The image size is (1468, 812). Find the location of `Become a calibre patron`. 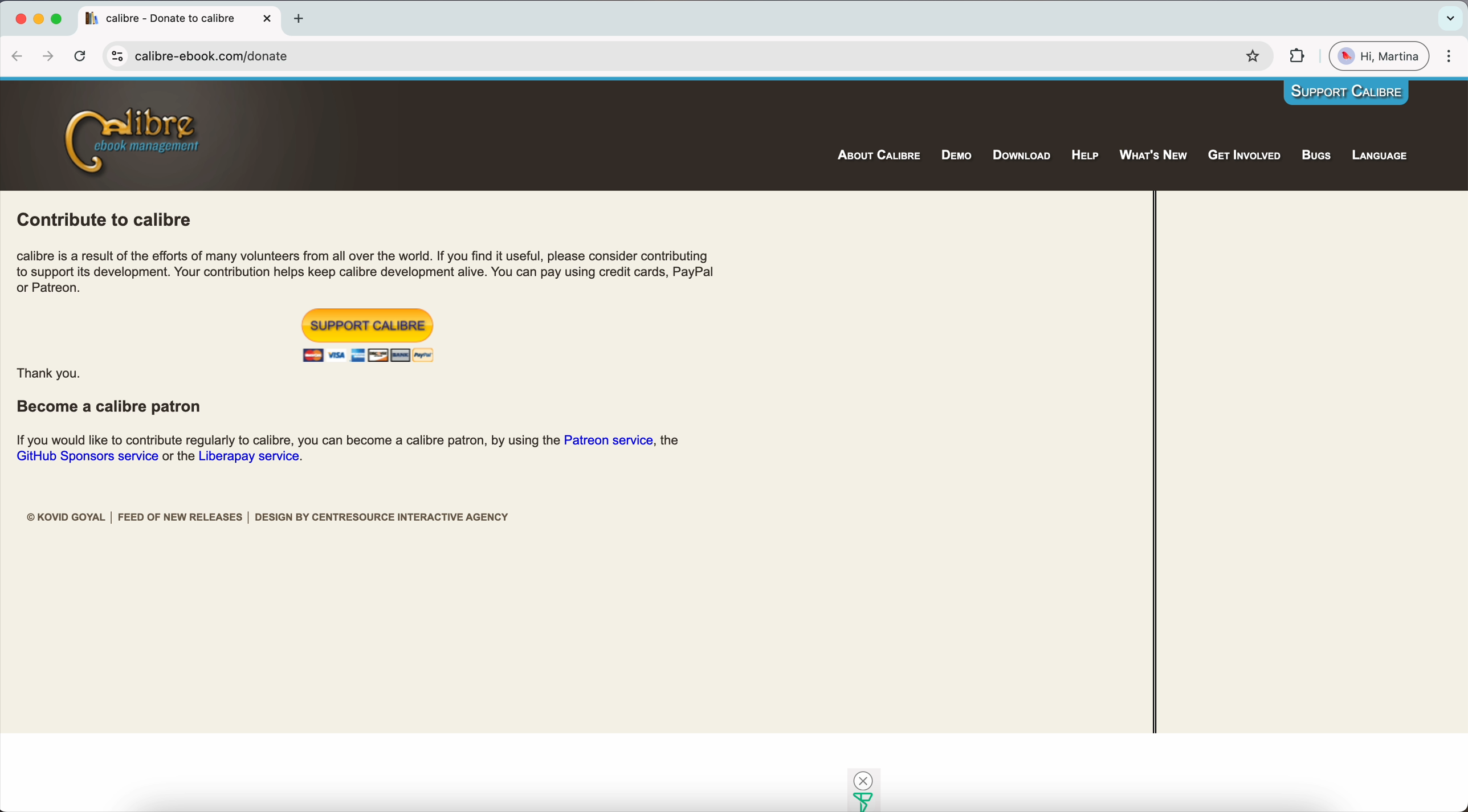

Become a calibre patron is located at coordinates (112, 409).